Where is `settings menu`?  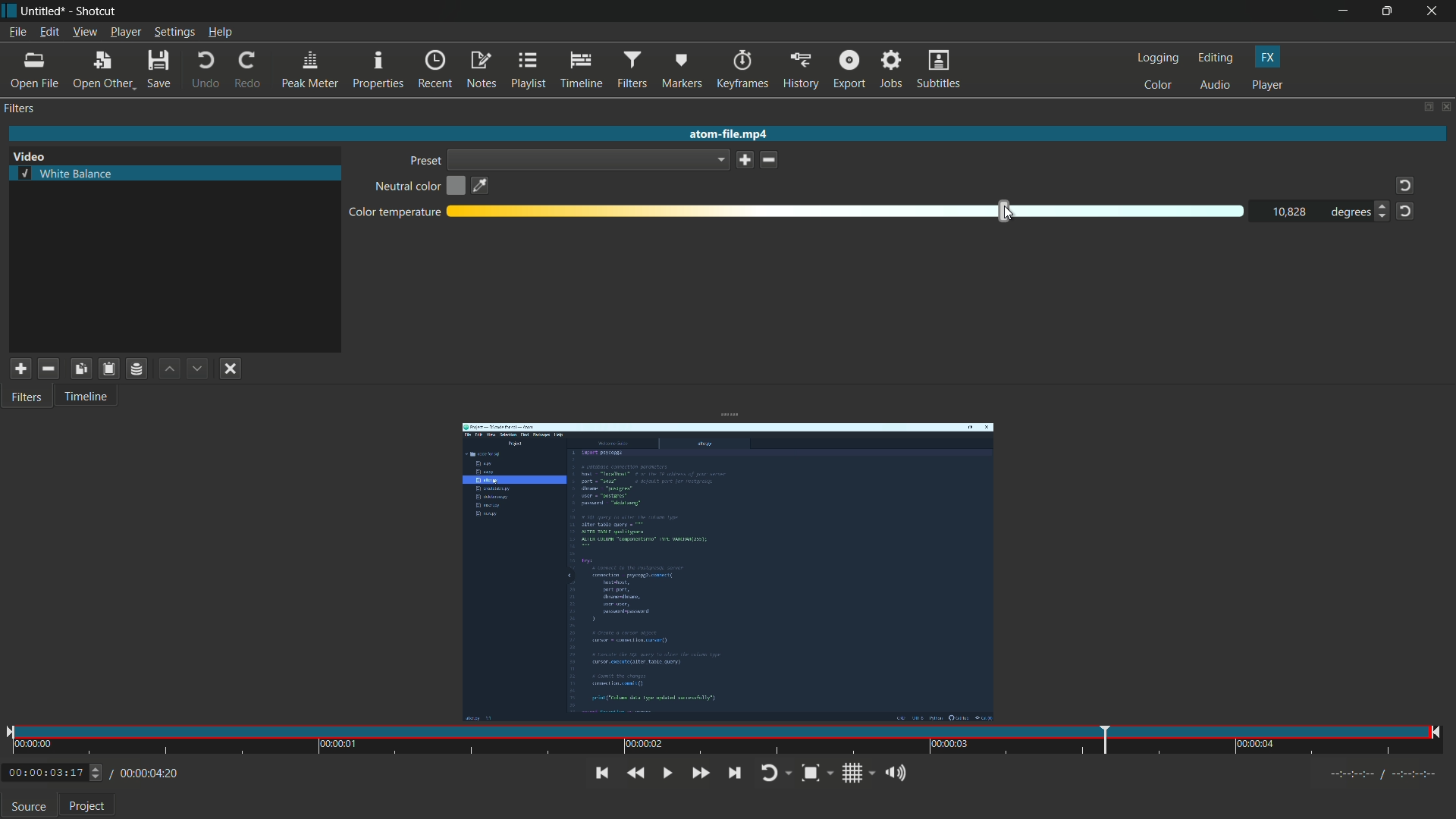
settings menu is located at coordinates (174, 32).